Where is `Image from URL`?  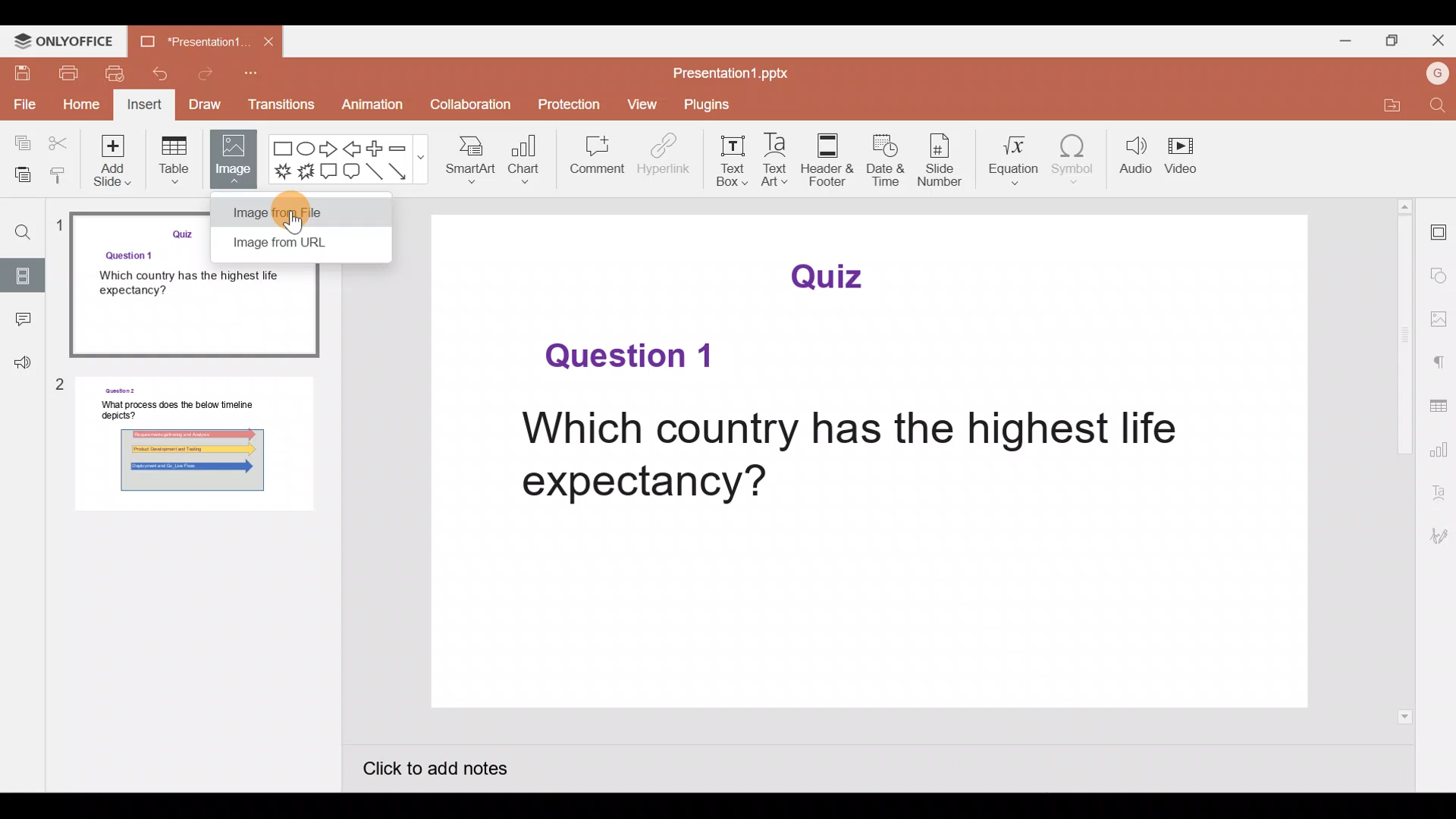
Image from URL is located at coordinates (295, 243).